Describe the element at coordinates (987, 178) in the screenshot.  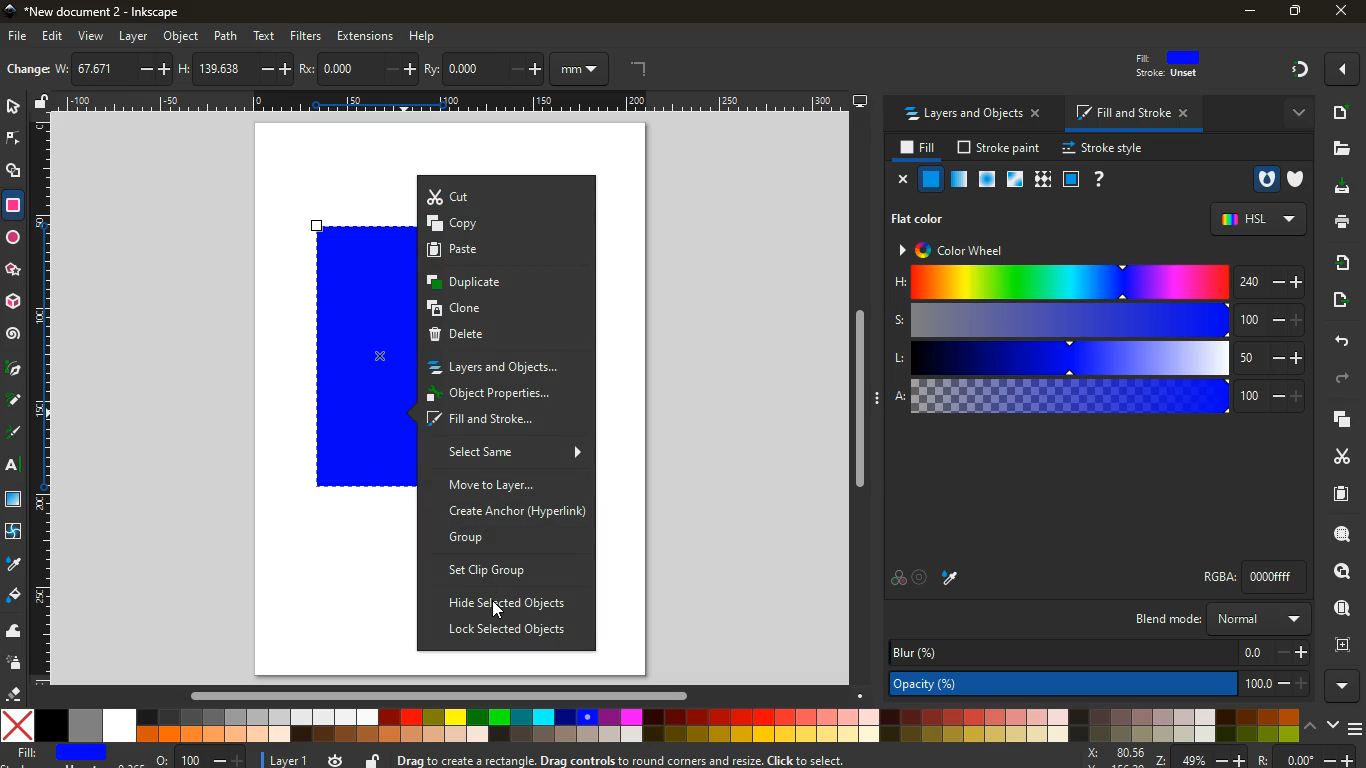
I see `ice` at that location.